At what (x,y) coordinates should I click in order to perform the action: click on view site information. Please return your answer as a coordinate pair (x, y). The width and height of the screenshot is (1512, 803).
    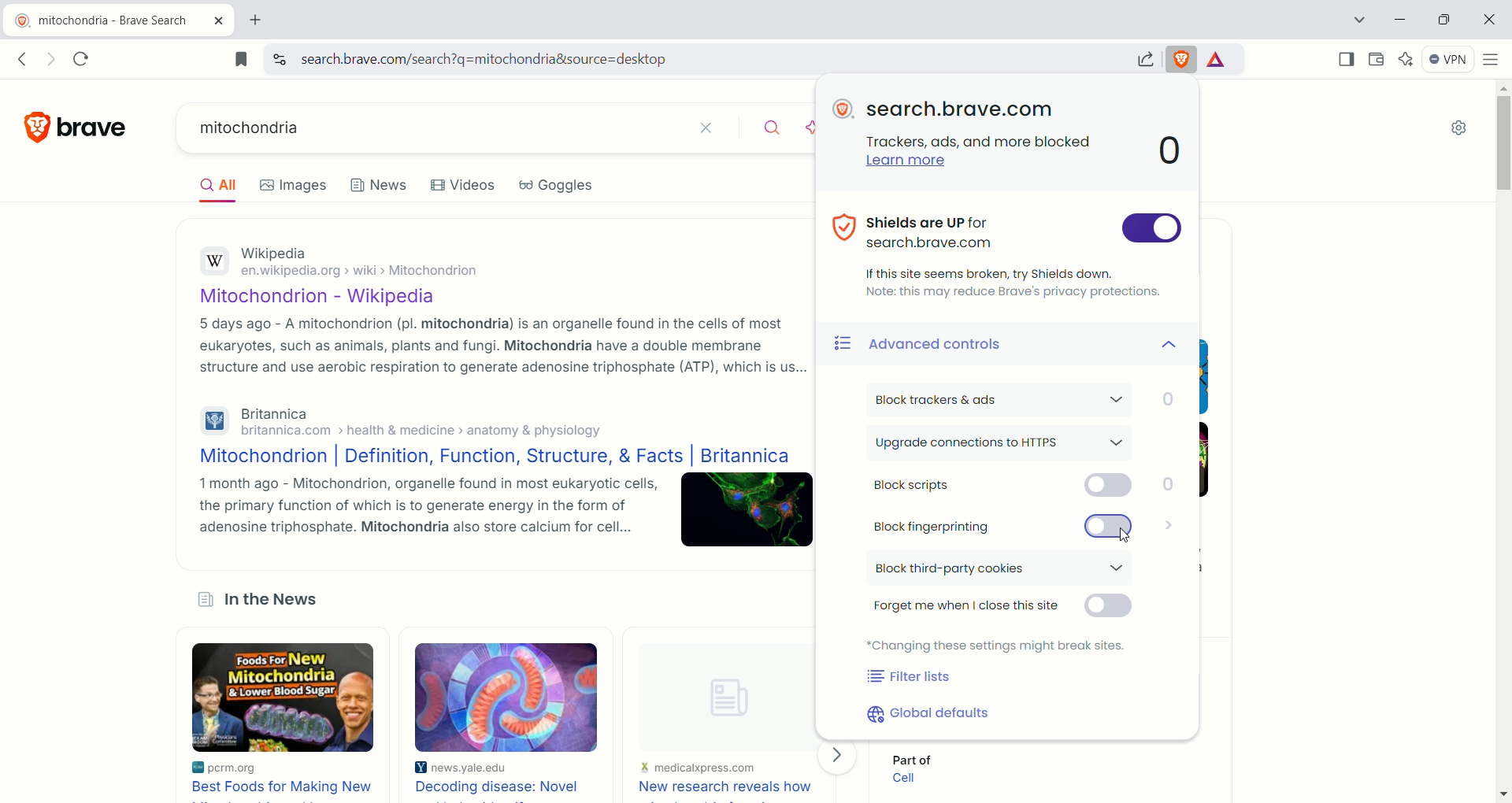
    Looking at the image, I should click on (280, 57).